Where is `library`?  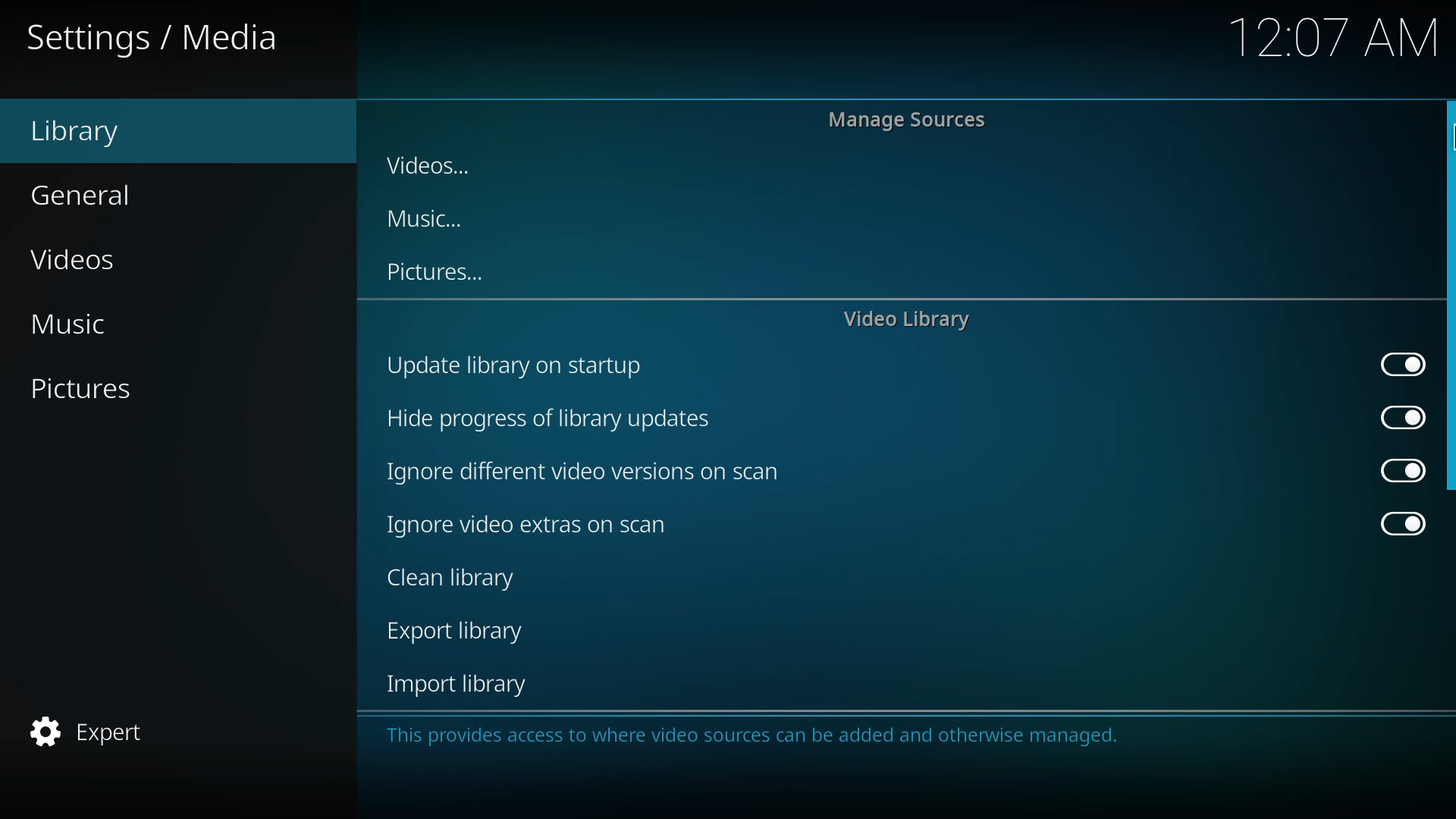 library is located at coordinates (75, 133).